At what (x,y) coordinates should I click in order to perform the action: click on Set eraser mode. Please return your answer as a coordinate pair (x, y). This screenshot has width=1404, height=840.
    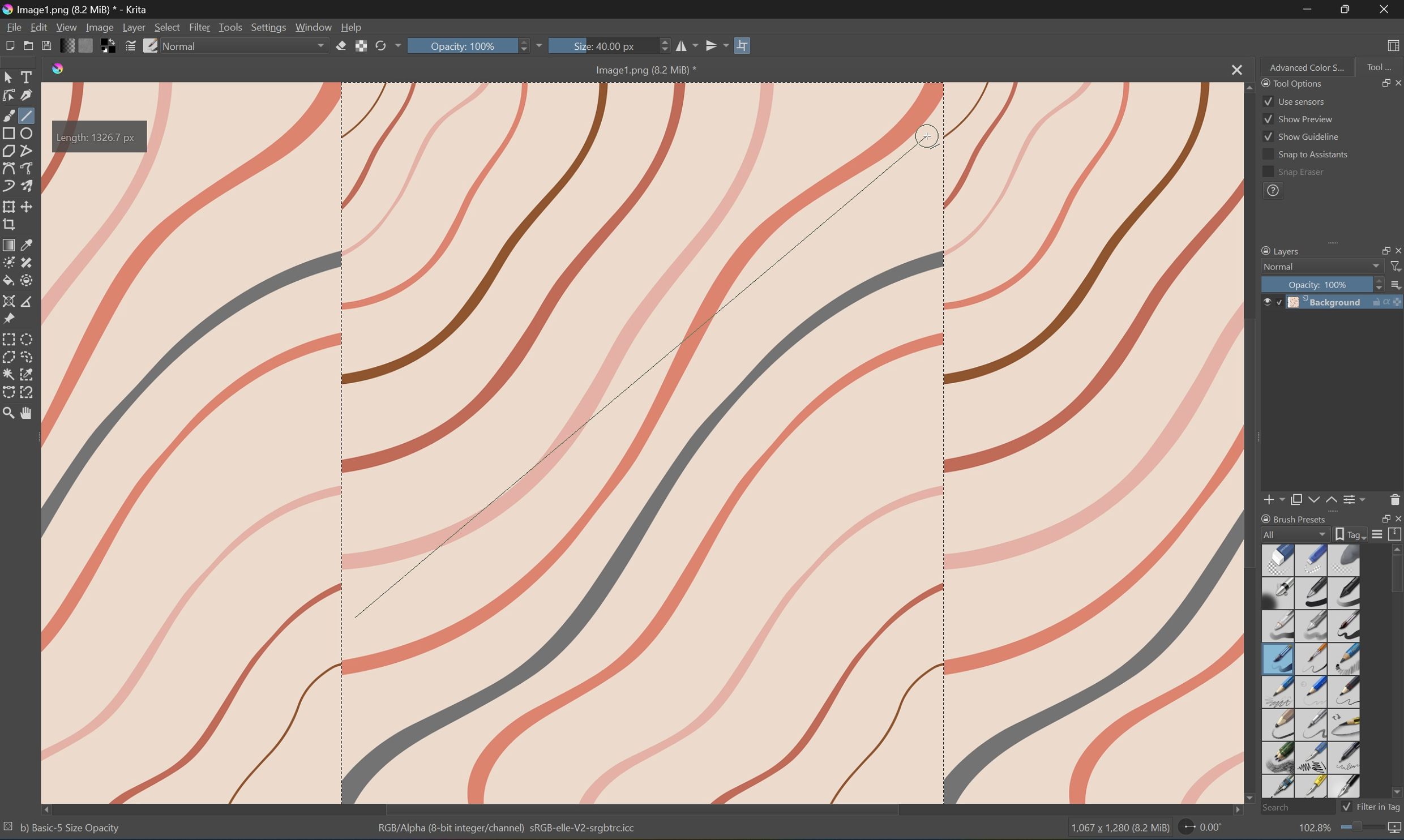
    Looking at the image, I should click on (341, 48).